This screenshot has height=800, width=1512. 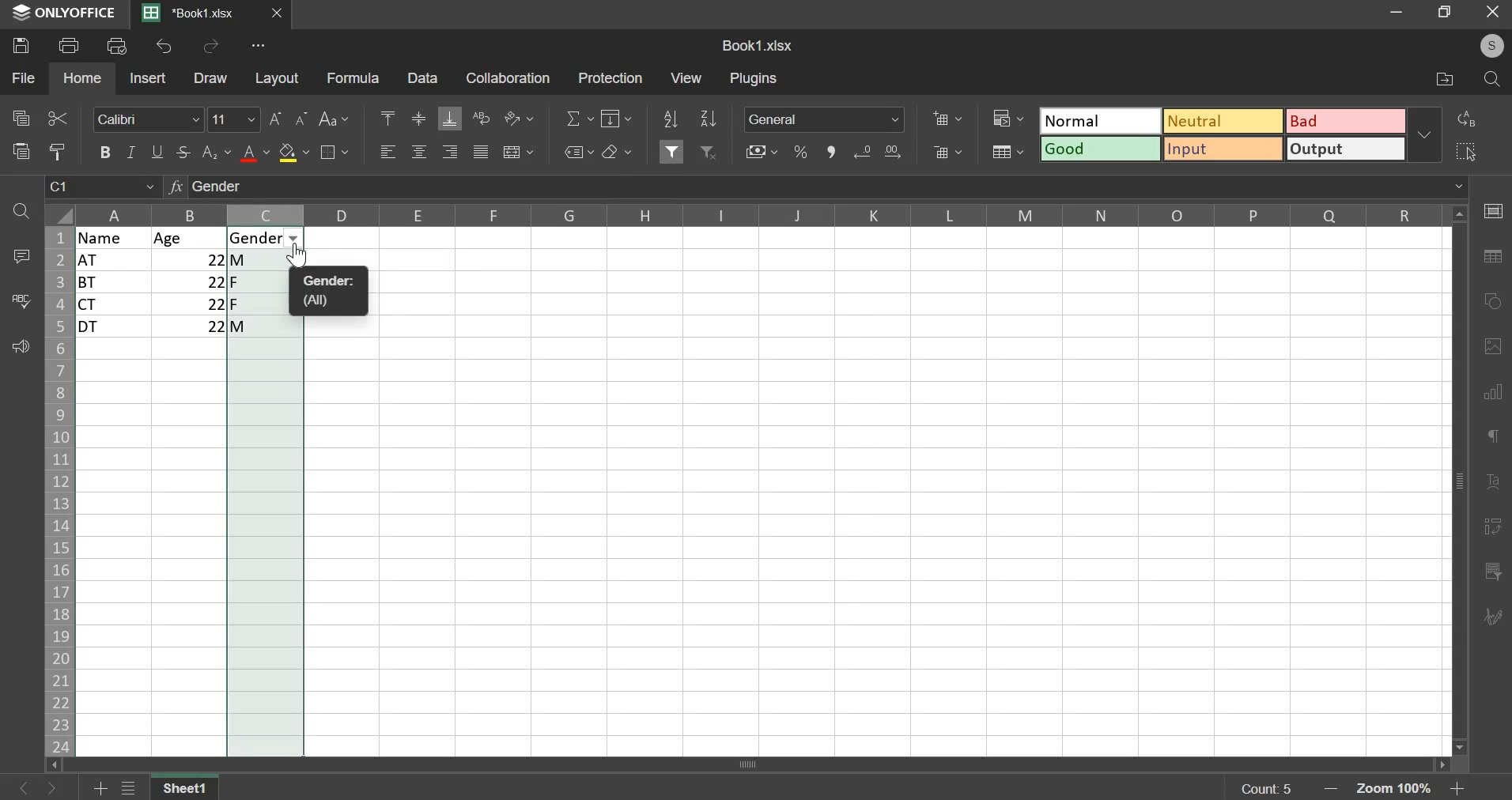 What do you see at coordinates (865, 152) in the screenshot?
I see `decrease decimal` at bounding box center [865, 152].